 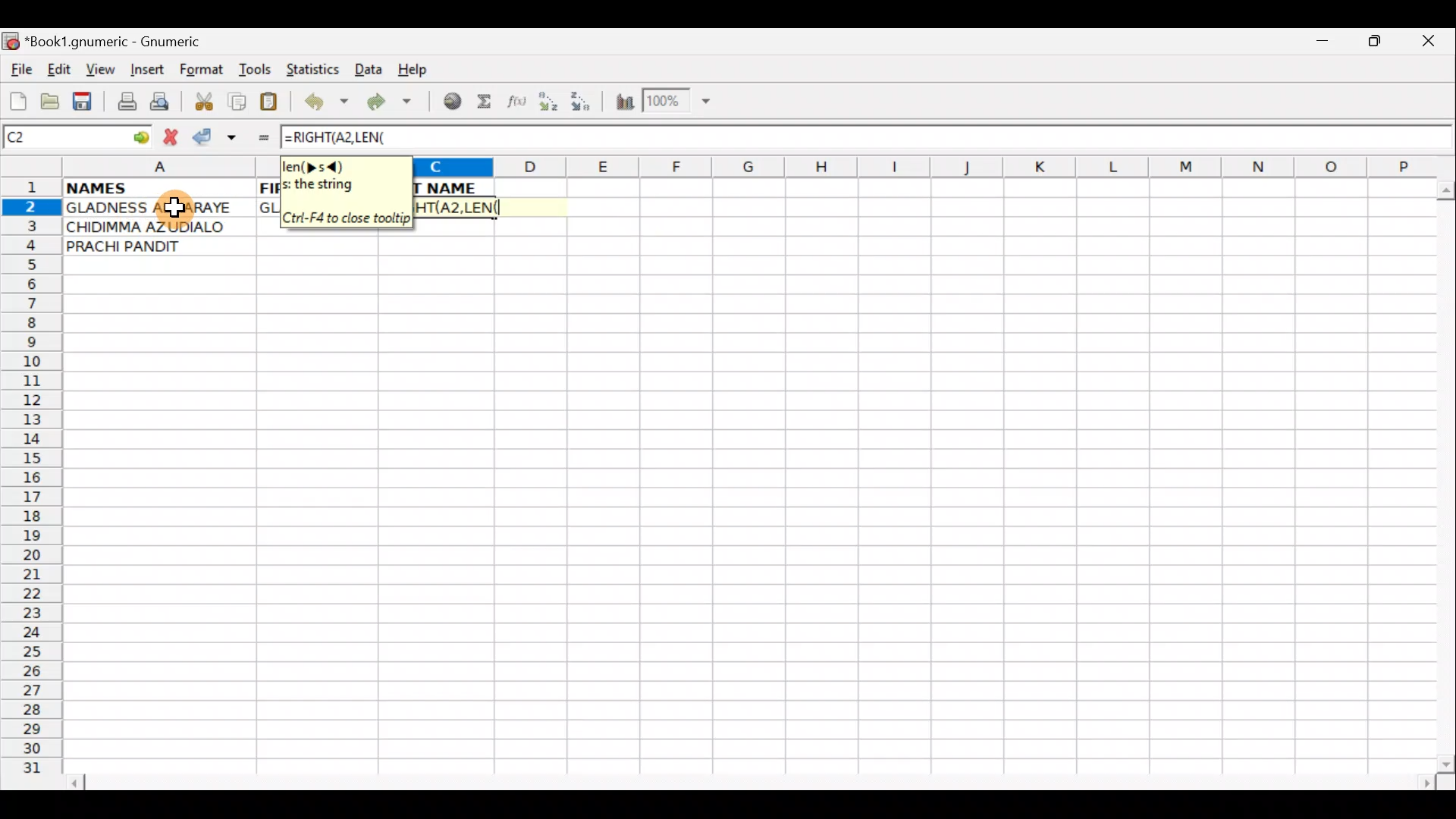 What do you see at coordinates (1377, 44) in the screenshot?
I see `Maximize` at bounding box center [1377, 44].